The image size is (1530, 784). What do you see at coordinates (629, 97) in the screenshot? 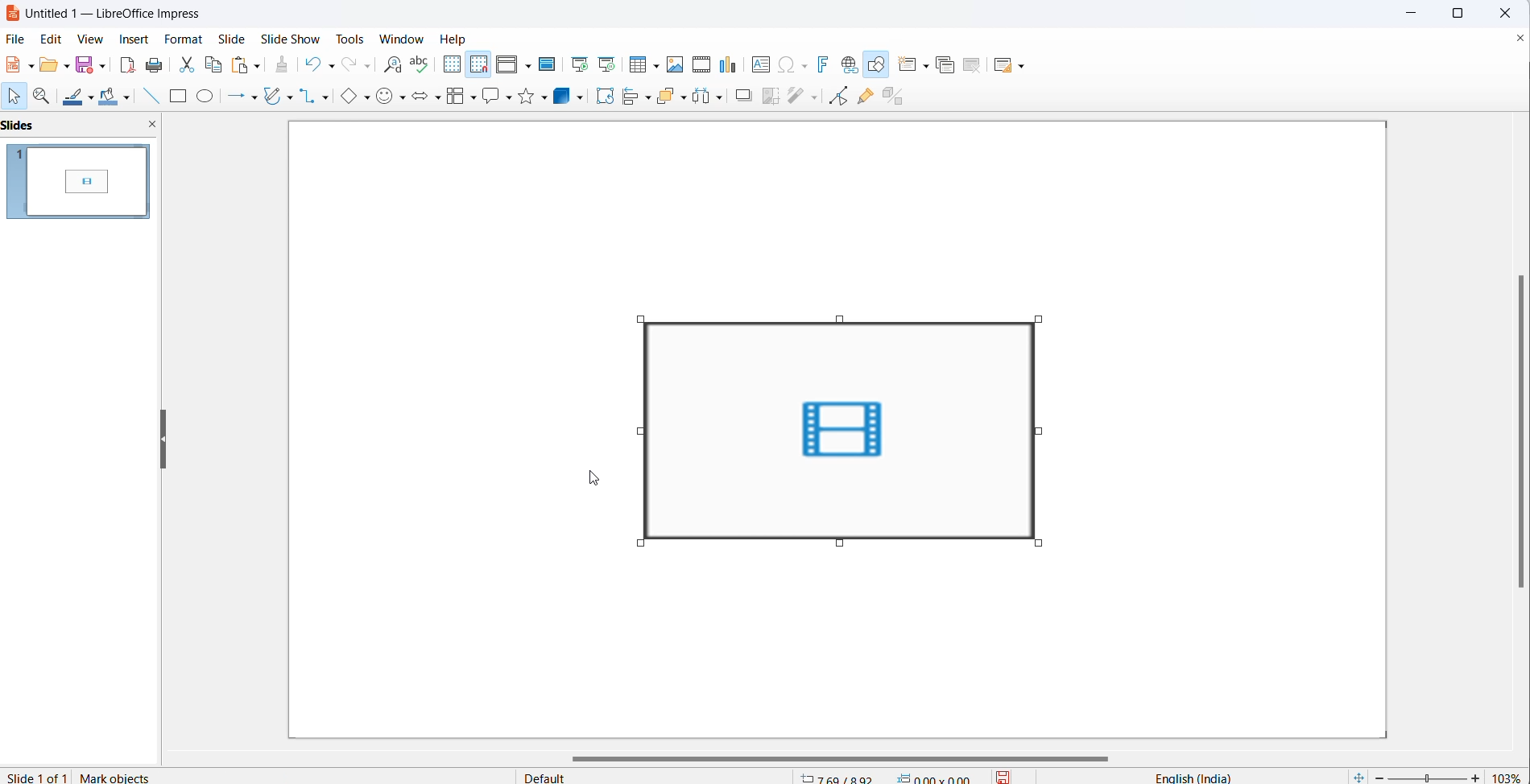
I see `align` at bounding box center [629, 97].